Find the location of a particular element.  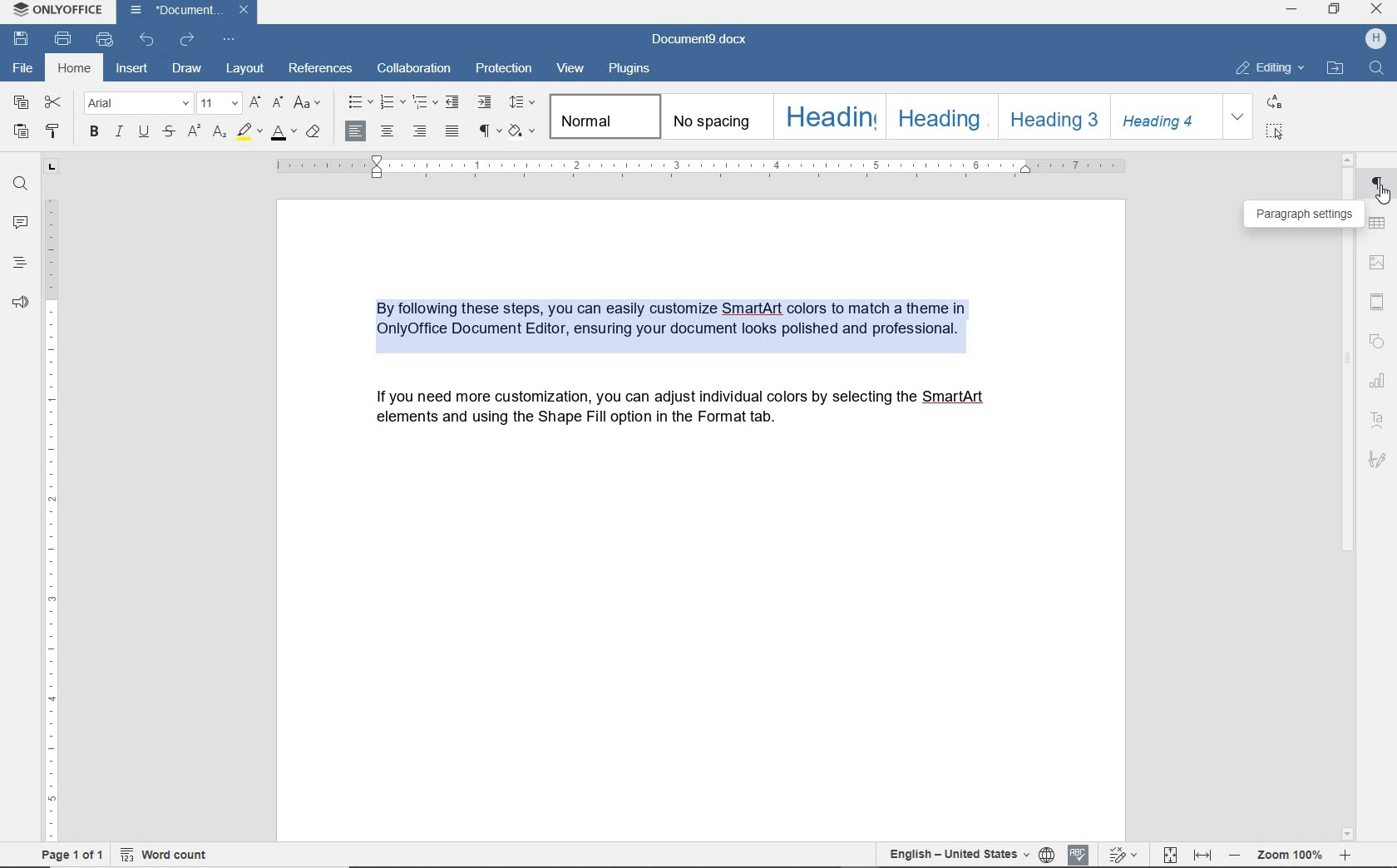

document name is located at coordinates (700, 36).